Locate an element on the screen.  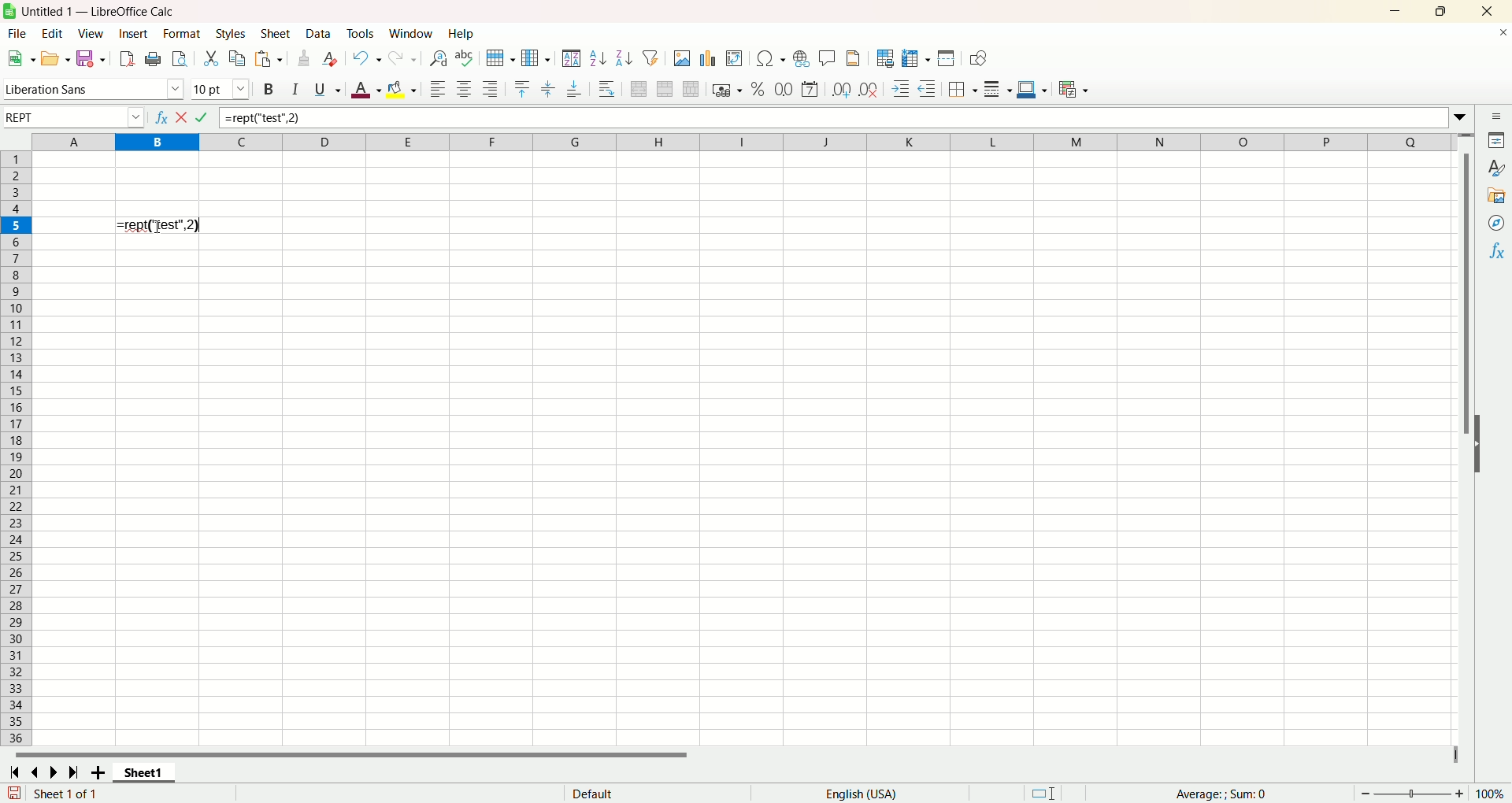
insert special character is located at coordinates (772, 58).